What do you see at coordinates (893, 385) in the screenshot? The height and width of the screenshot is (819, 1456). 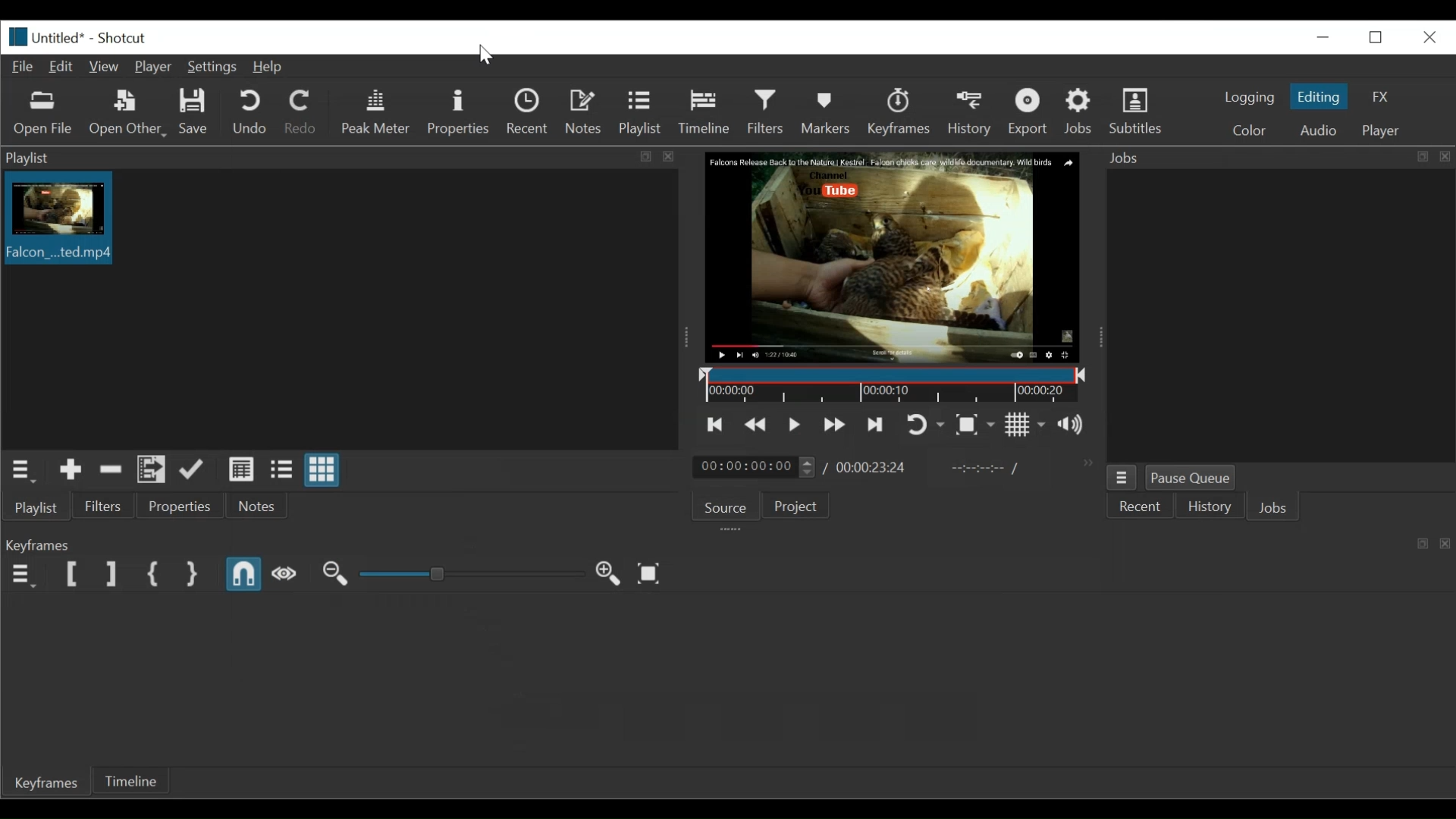 I see `Timeline` at bounding box center [893, 385].